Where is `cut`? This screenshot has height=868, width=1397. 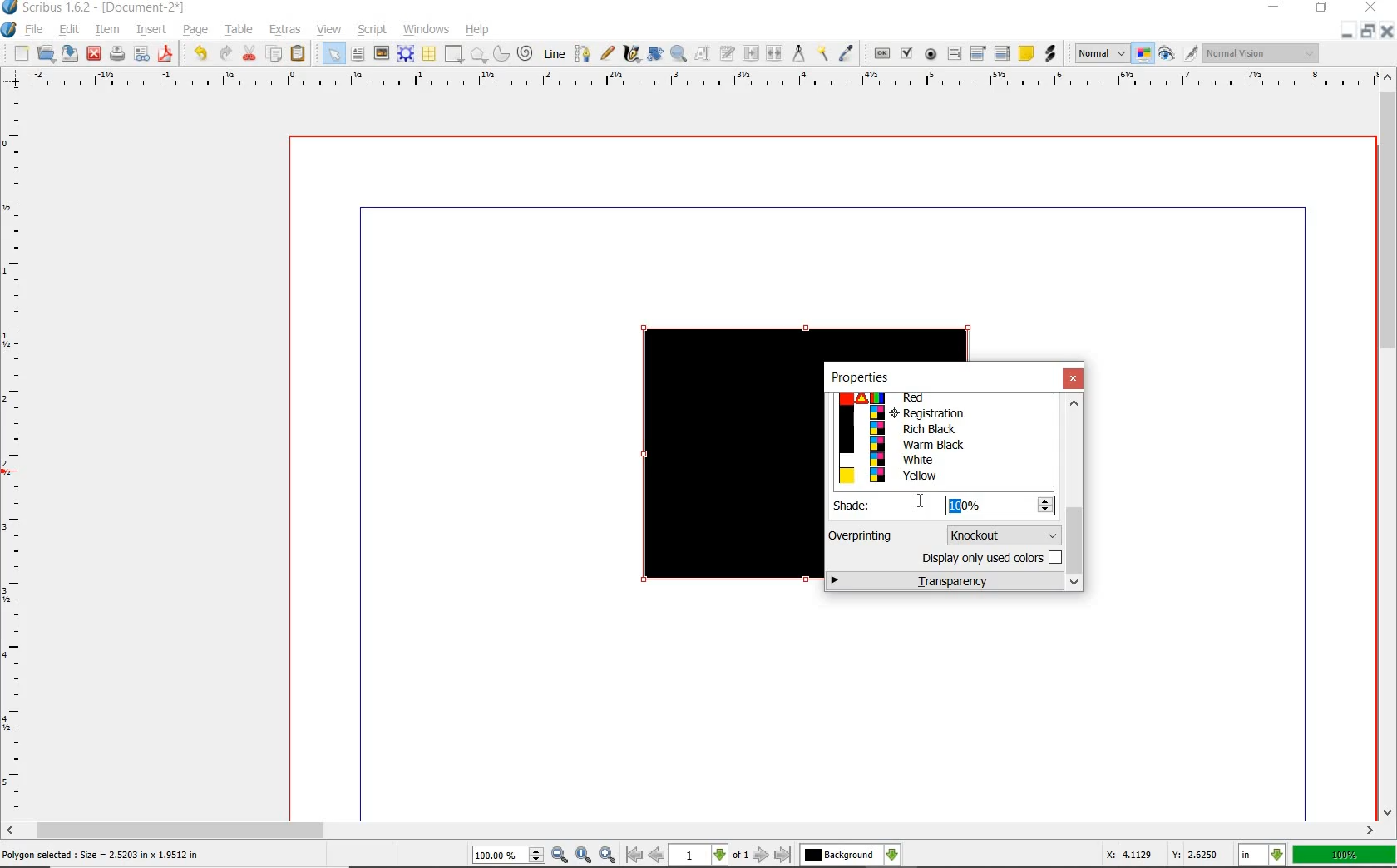 cut is located at coordinates (249, 55).